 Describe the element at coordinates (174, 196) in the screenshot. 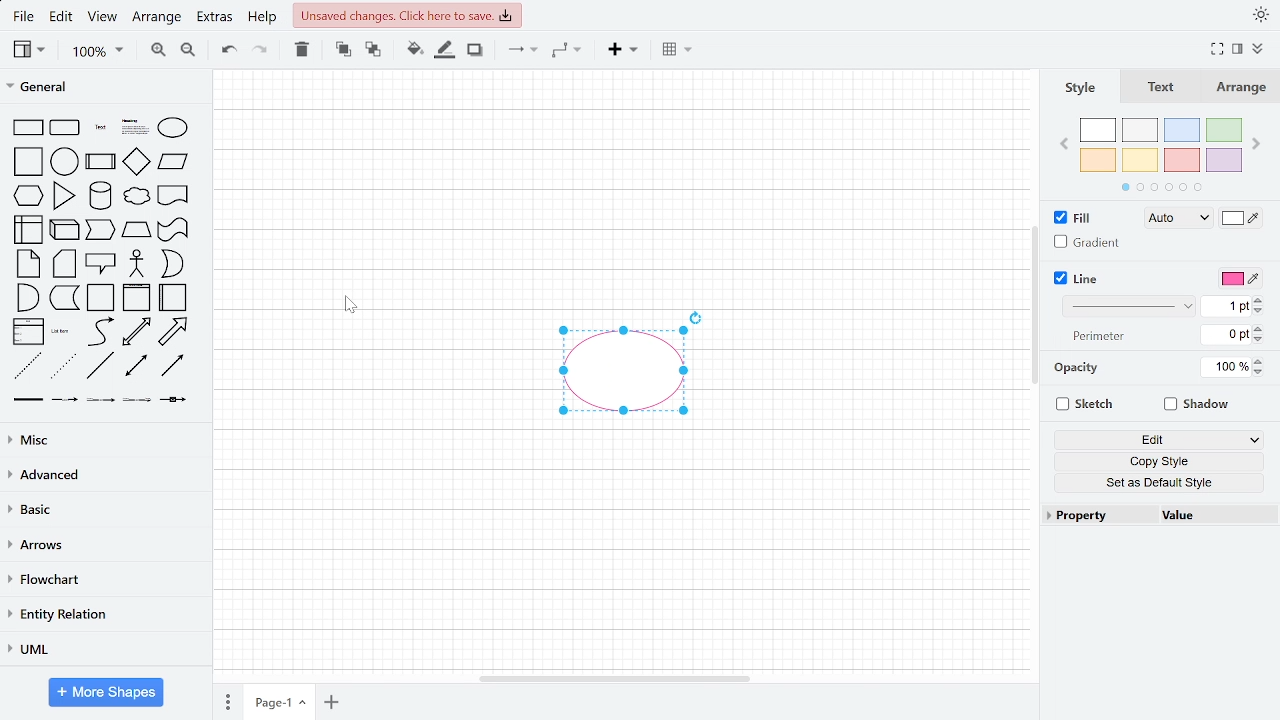

I see `document` at that location.